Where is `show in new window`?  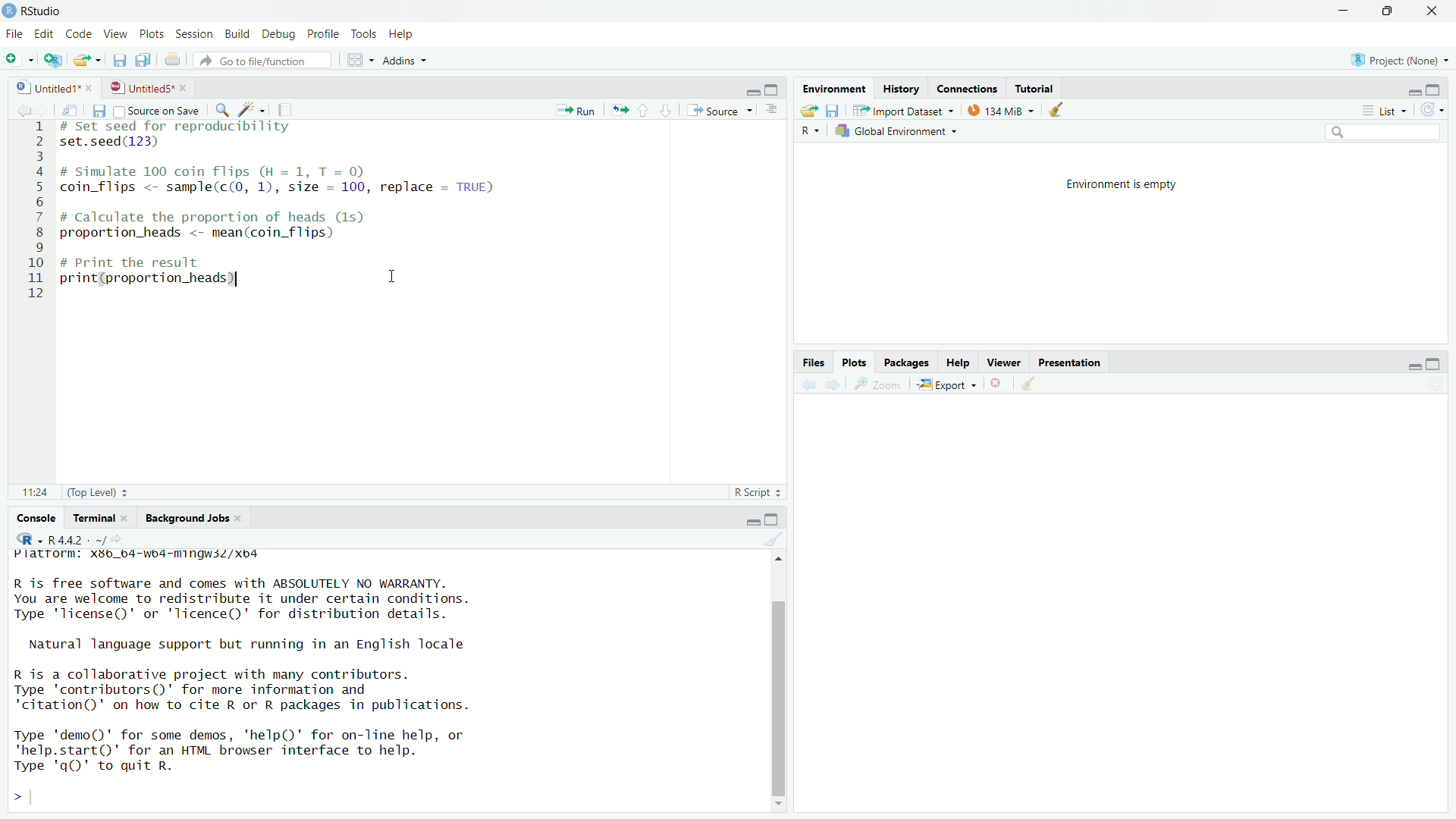 show in new window is located at coordinates (68, 109).